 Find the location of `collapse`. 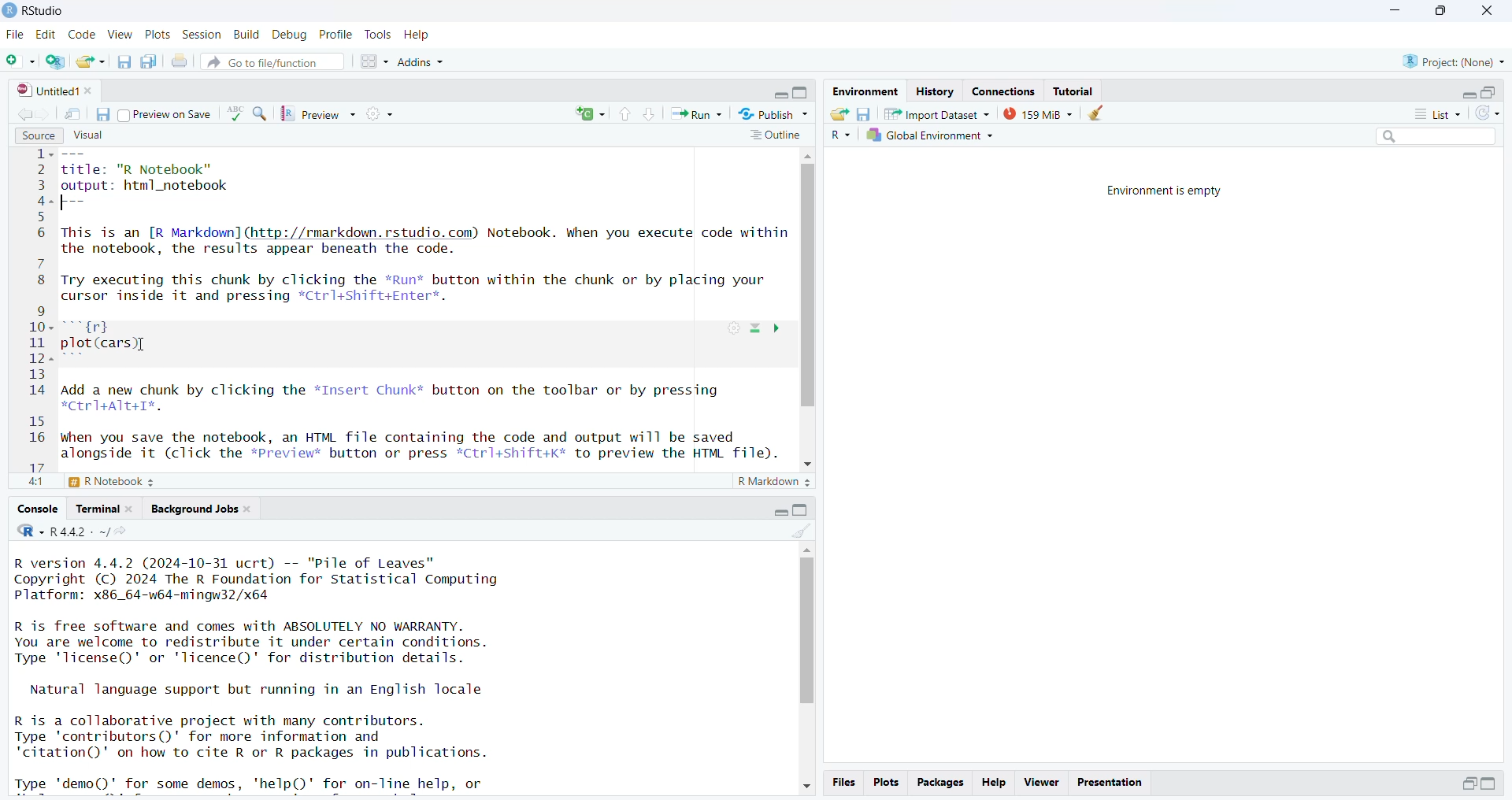

collapse is located at coordinates (802, 509).